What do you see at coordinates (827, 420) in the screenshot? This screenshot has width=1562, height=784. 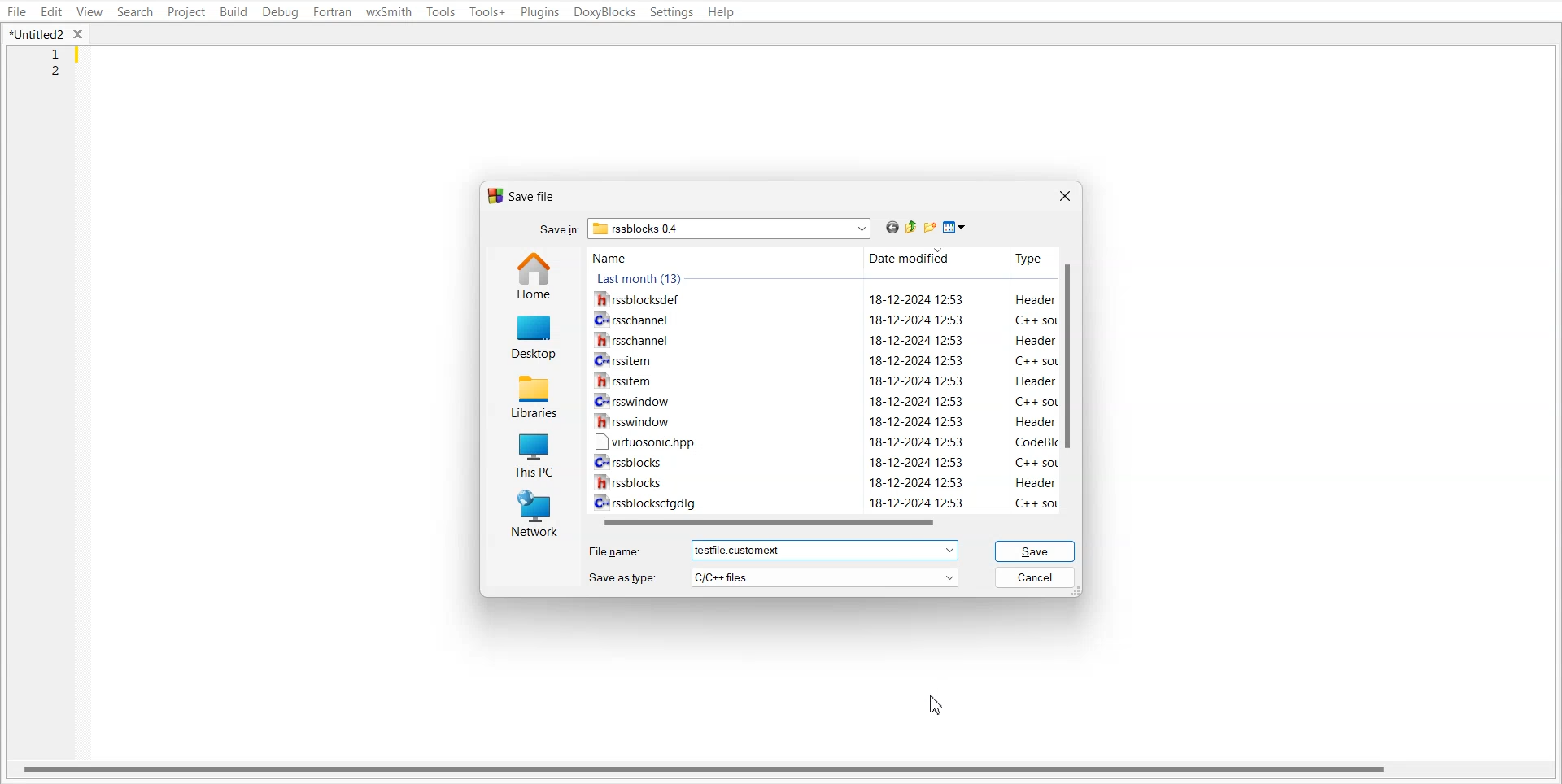 I see `# rsswindow 18-12-2024 12:53 Header` at bounding box center [827, 420].